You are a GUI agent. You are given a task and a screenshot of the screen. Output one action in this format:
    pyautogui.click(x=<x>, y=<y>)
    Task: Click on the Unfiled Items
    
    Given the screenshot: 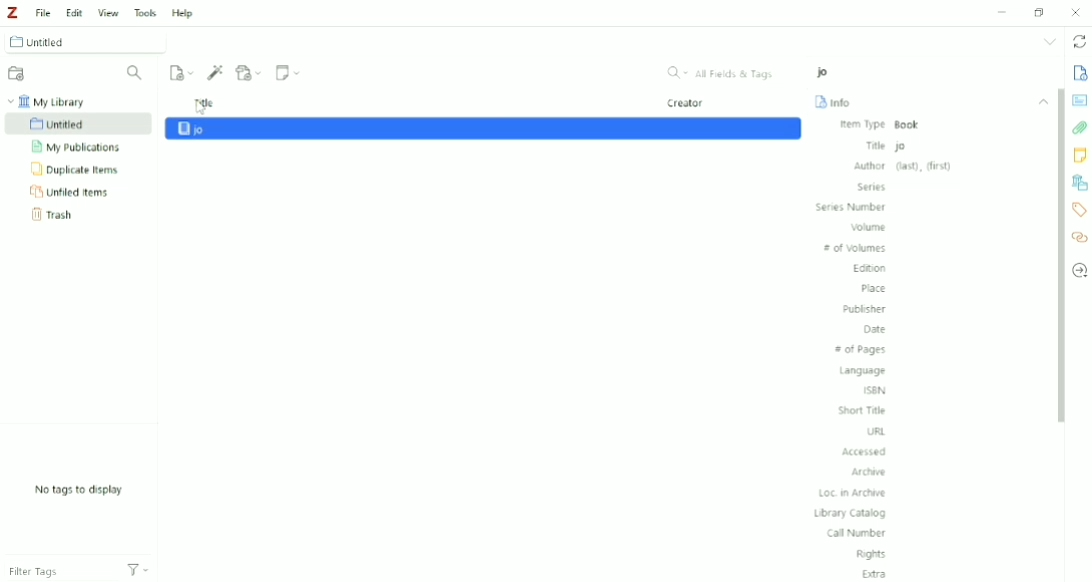 What is the action you would take?
    pyautogui.click(x=73, y=192)
    